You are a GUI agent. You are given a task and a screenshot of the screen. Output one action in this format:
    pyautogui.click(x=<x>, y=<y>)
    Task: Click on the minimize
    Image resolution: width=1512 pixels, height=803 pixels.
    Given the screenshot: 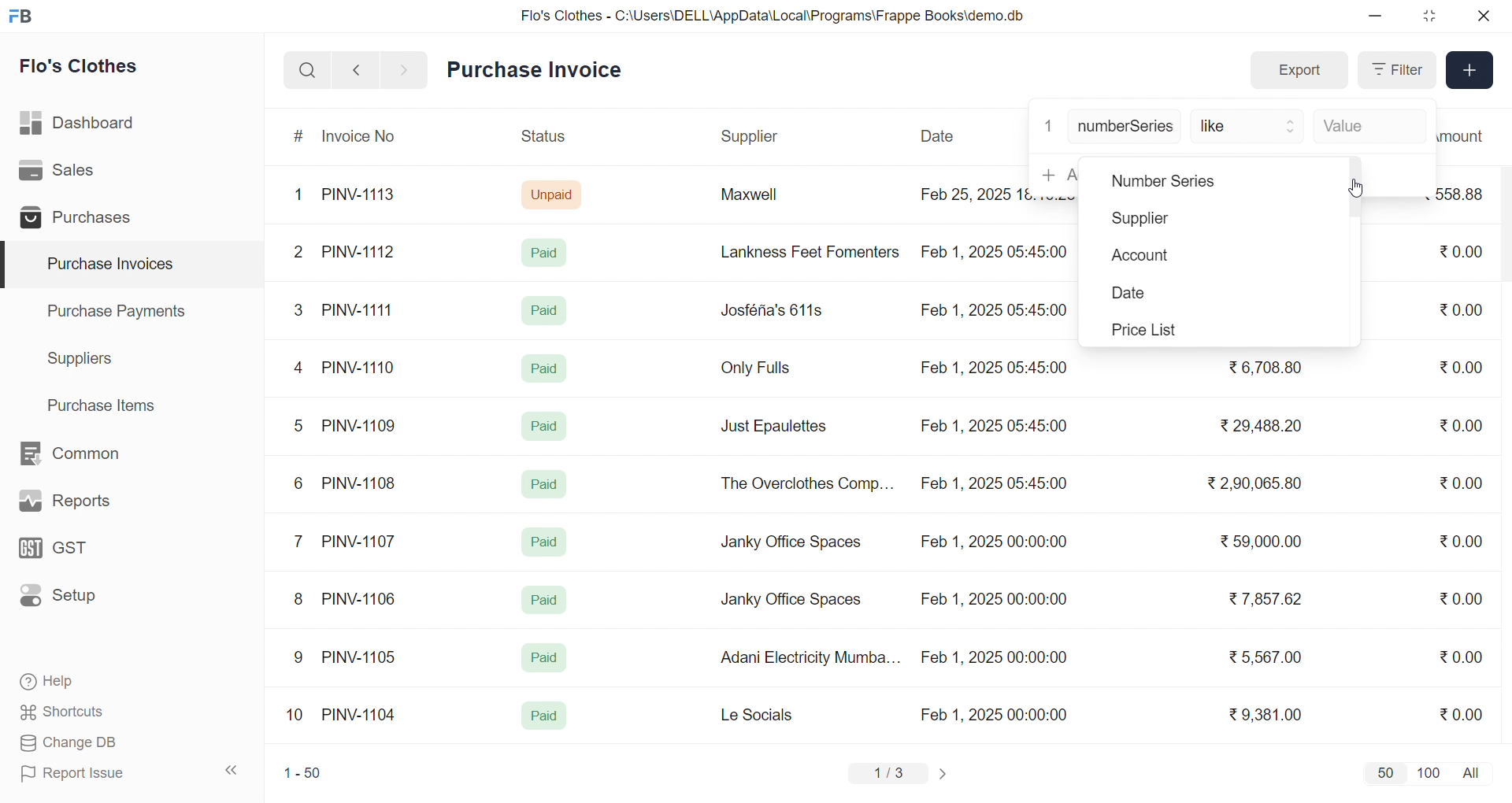 What is the action you would take?
    pyautogui.click(x=1377, y=17)
    